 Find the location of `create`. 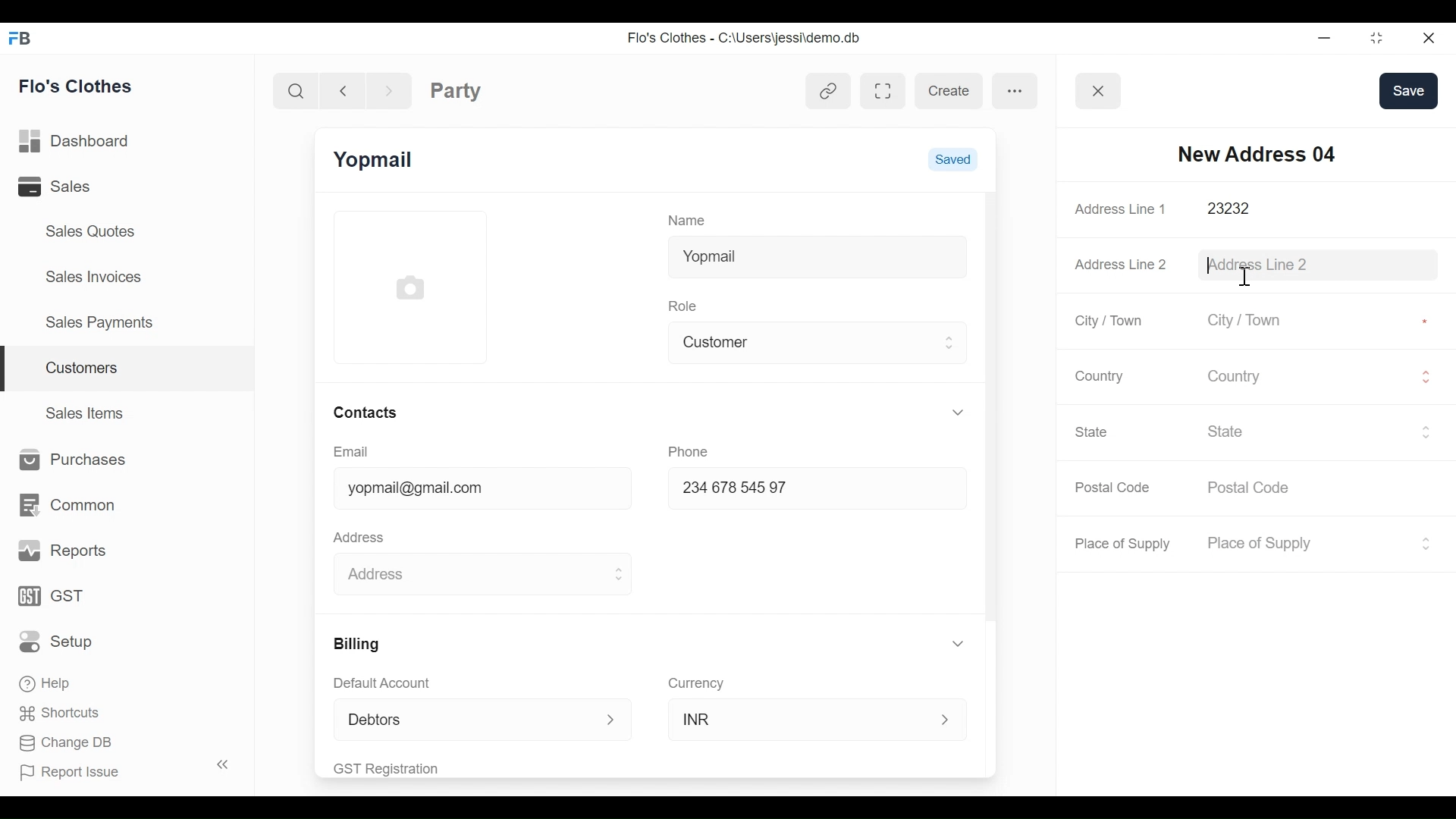

create is located at coordinates (948, 91).